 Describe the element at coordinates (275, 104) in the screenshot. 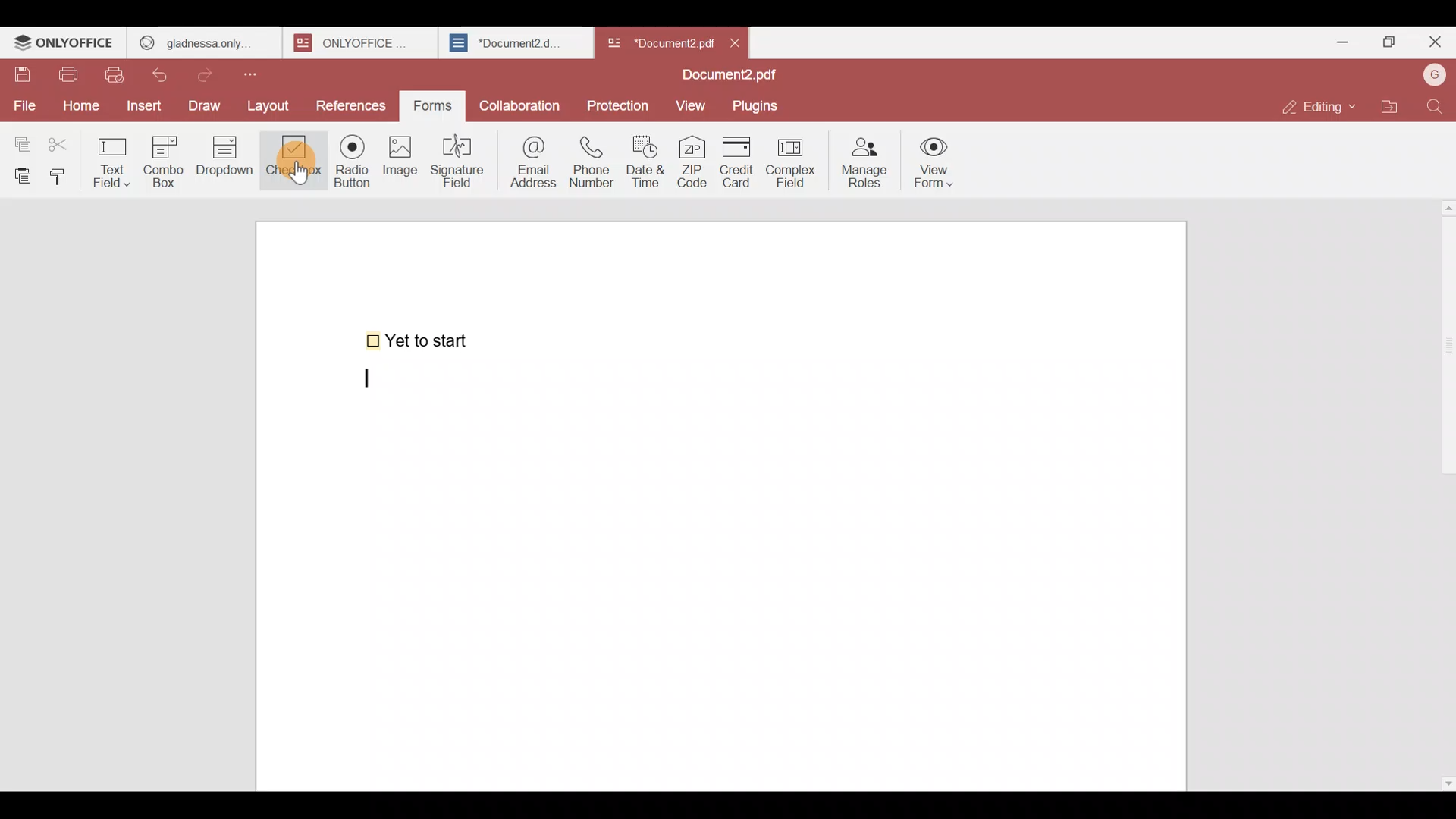

I see `Layout` at that location.